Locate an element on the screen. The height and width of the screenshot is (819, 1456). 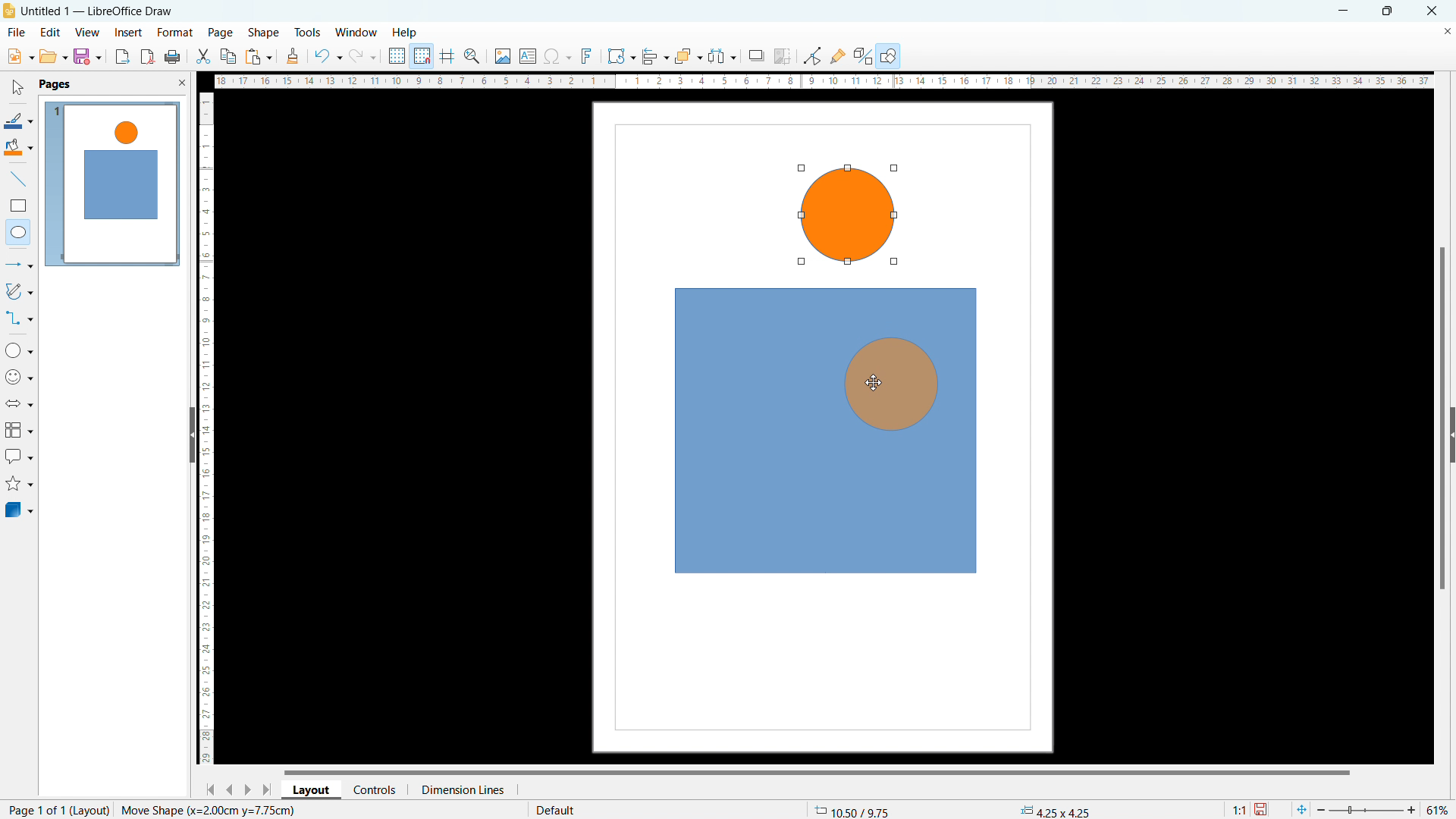
scaling factor is located at coordinates (1237, 808).